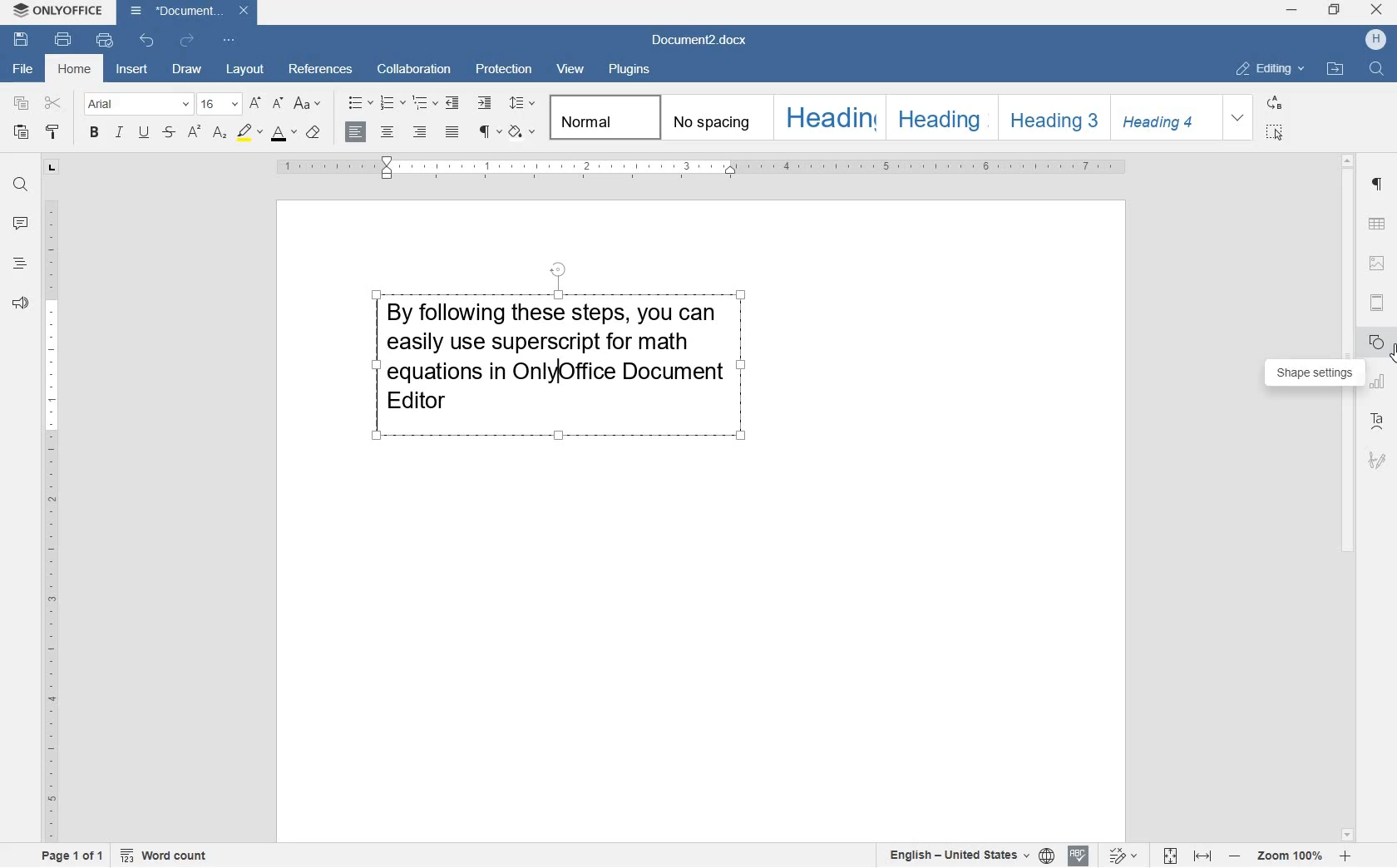 The width and height of the screenshot is (1397, 868). Describe the element at coordinates (394, 102) in the screenshot. I see `numbering` at that location.